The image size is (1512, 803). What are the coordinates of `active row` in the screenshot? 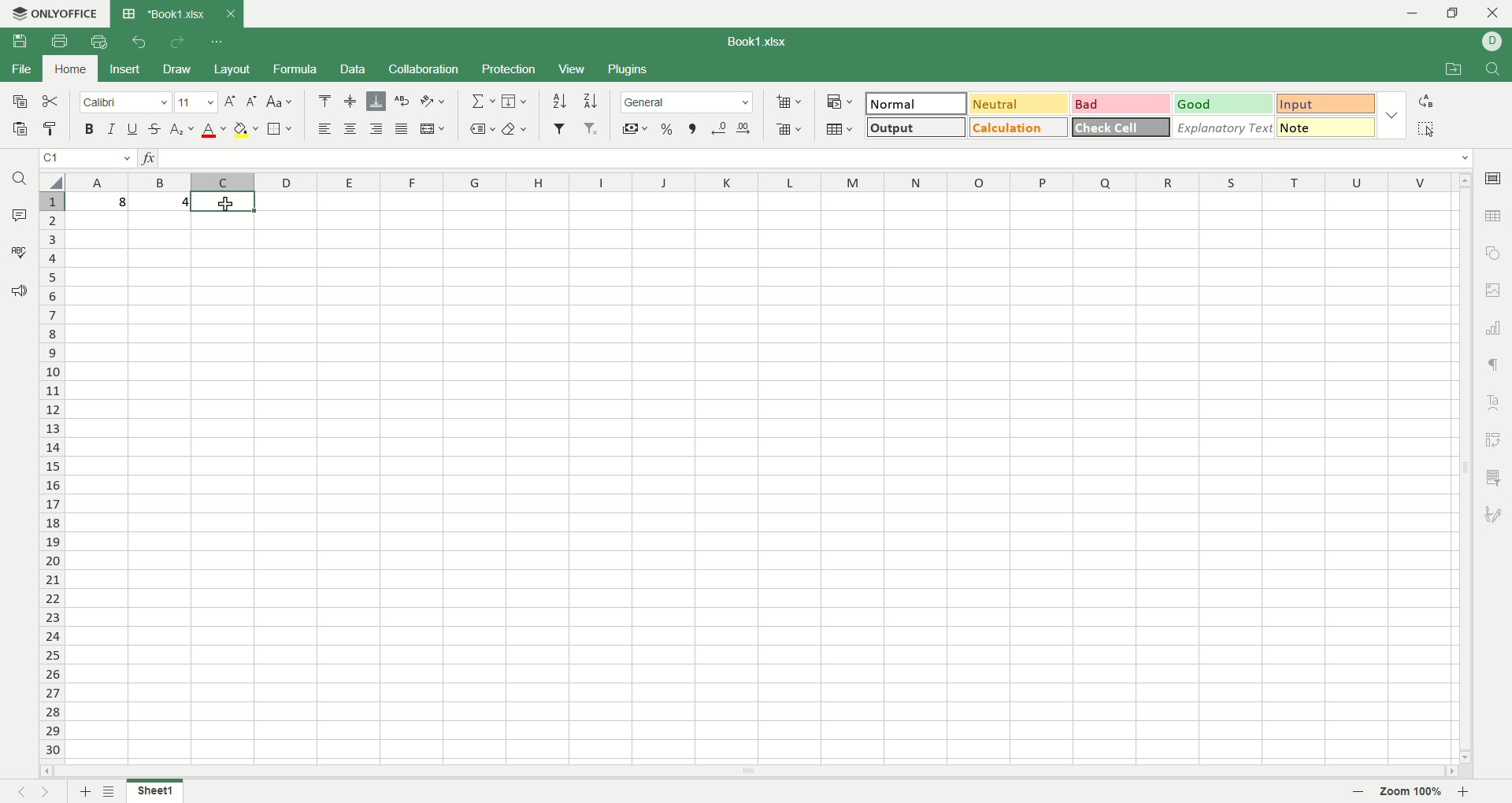 It's located at (51, 202).